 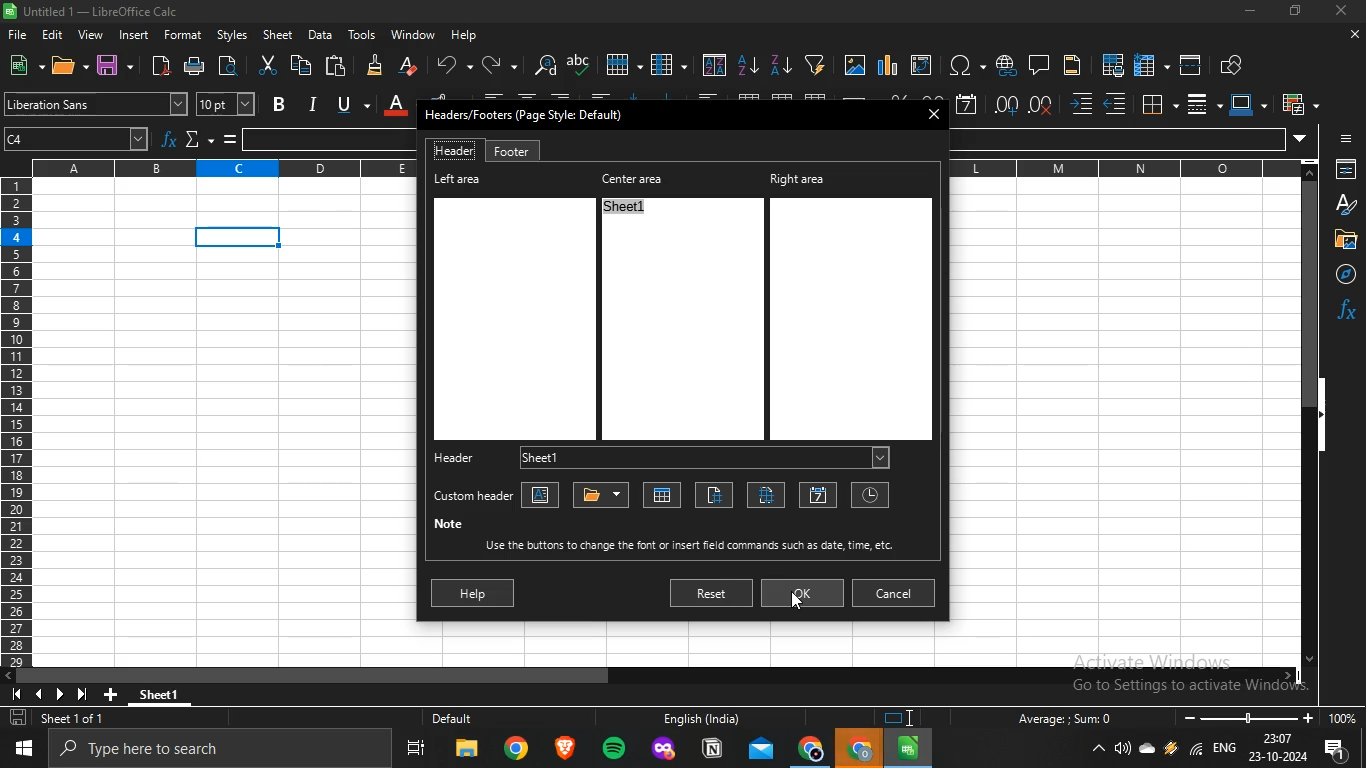 What do you see at coordinates (1197, 104) in the screenshot?
I see `border style` at bounding box center [1197, 104].